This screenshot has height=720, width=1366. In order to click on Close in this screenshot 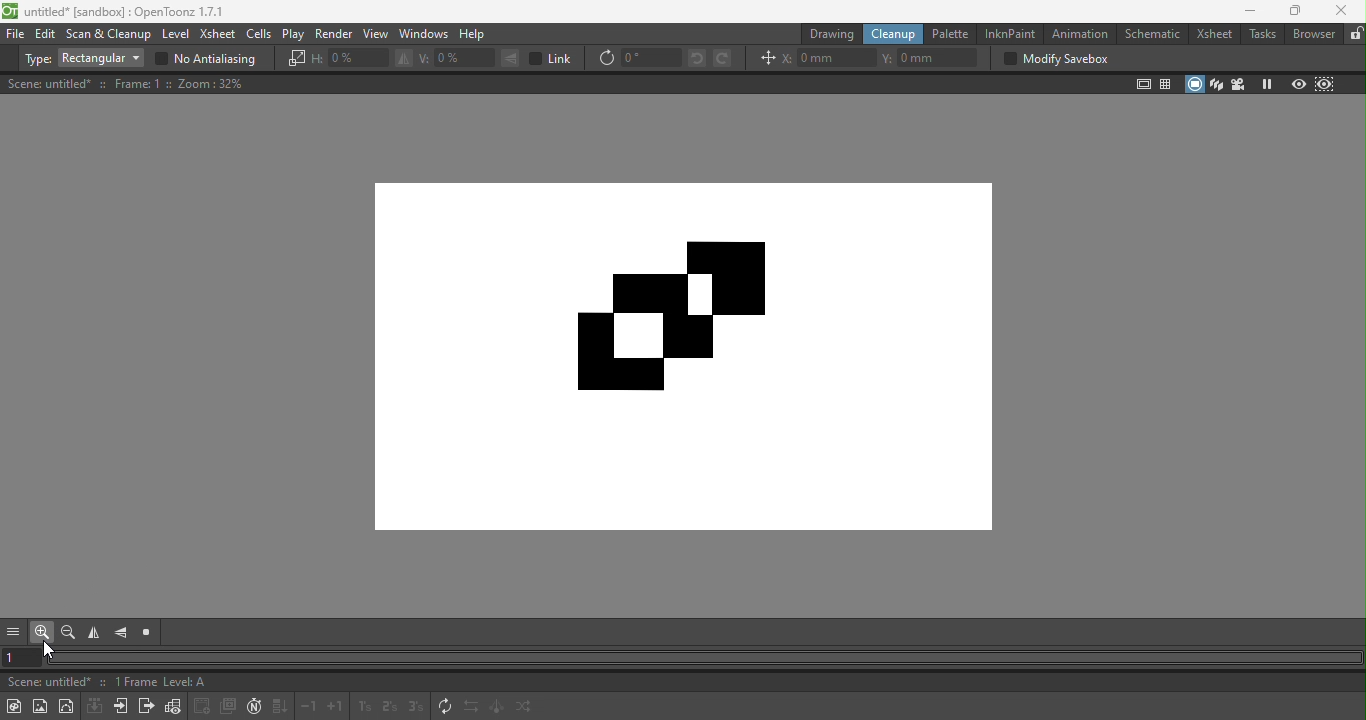, I will do `click(1341, 11)`.